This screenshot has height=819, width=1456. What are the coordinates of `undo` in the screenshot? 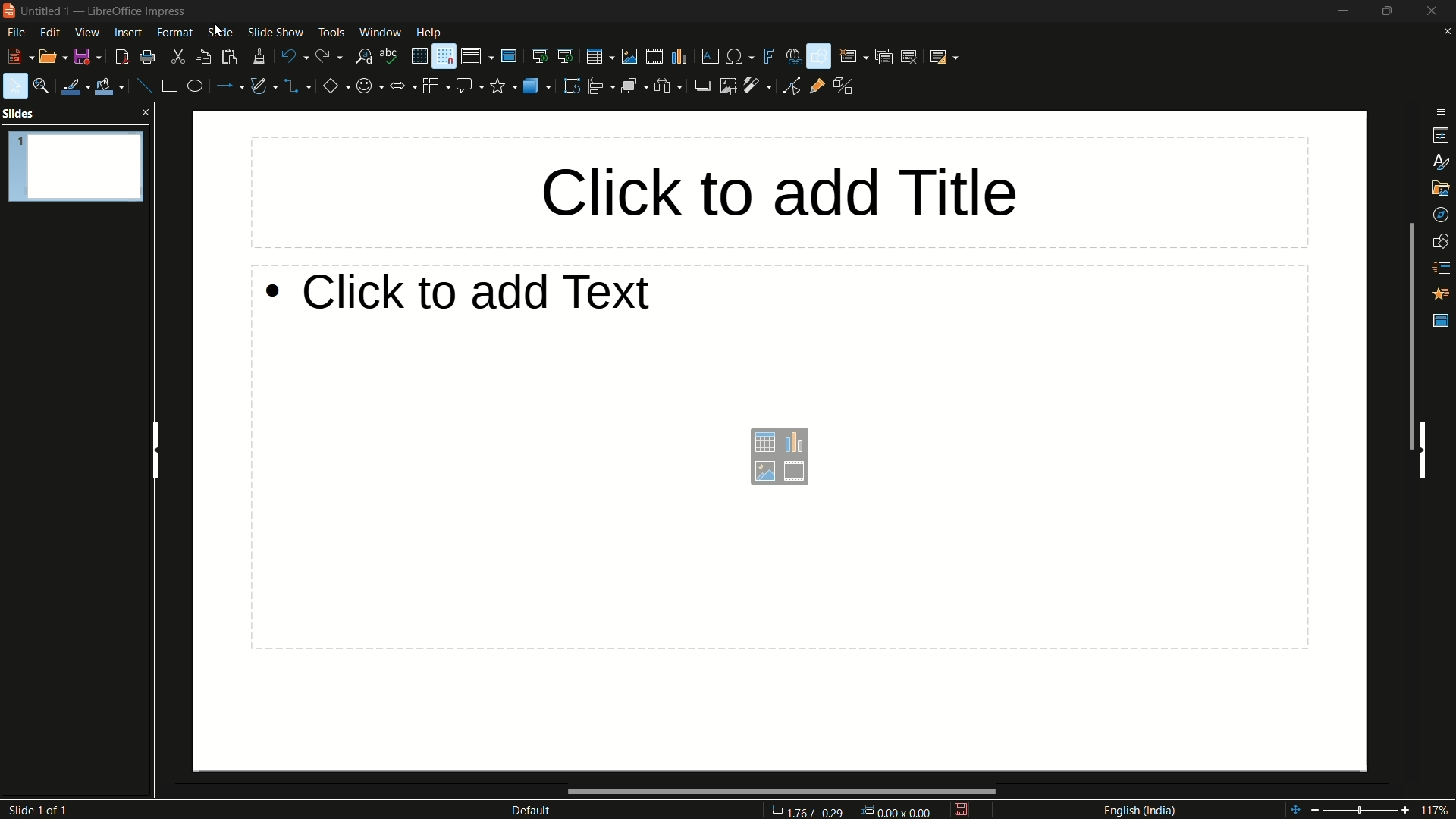 It's located at (293, 55).